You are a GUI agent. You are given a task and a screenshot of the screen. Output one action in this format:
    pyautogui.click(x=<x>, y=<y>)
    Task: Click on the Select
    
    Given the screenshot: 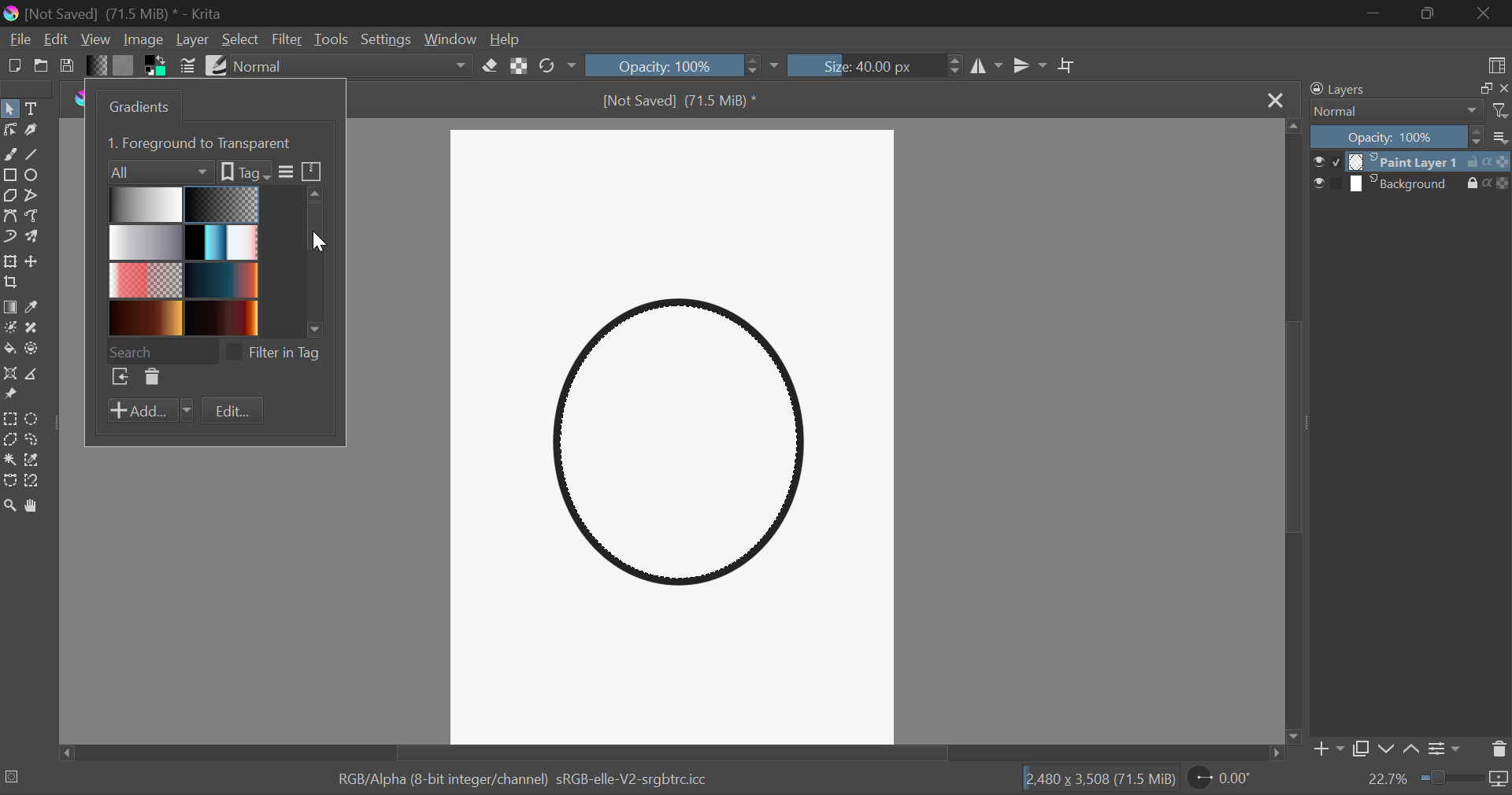 What is the action you would take?
    pyautogui.click(x=10, y=109)
    